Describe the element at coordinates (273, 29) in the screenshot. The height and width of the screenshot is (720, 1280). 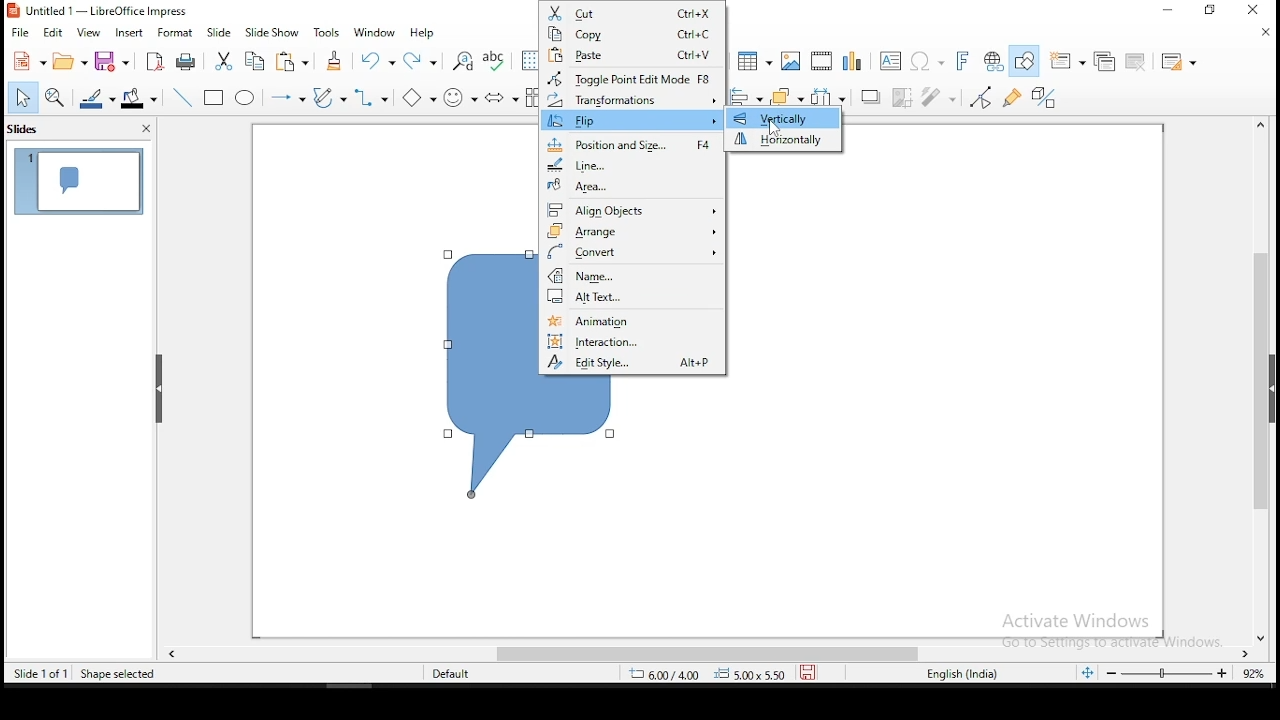
I see `slide show` at that location.